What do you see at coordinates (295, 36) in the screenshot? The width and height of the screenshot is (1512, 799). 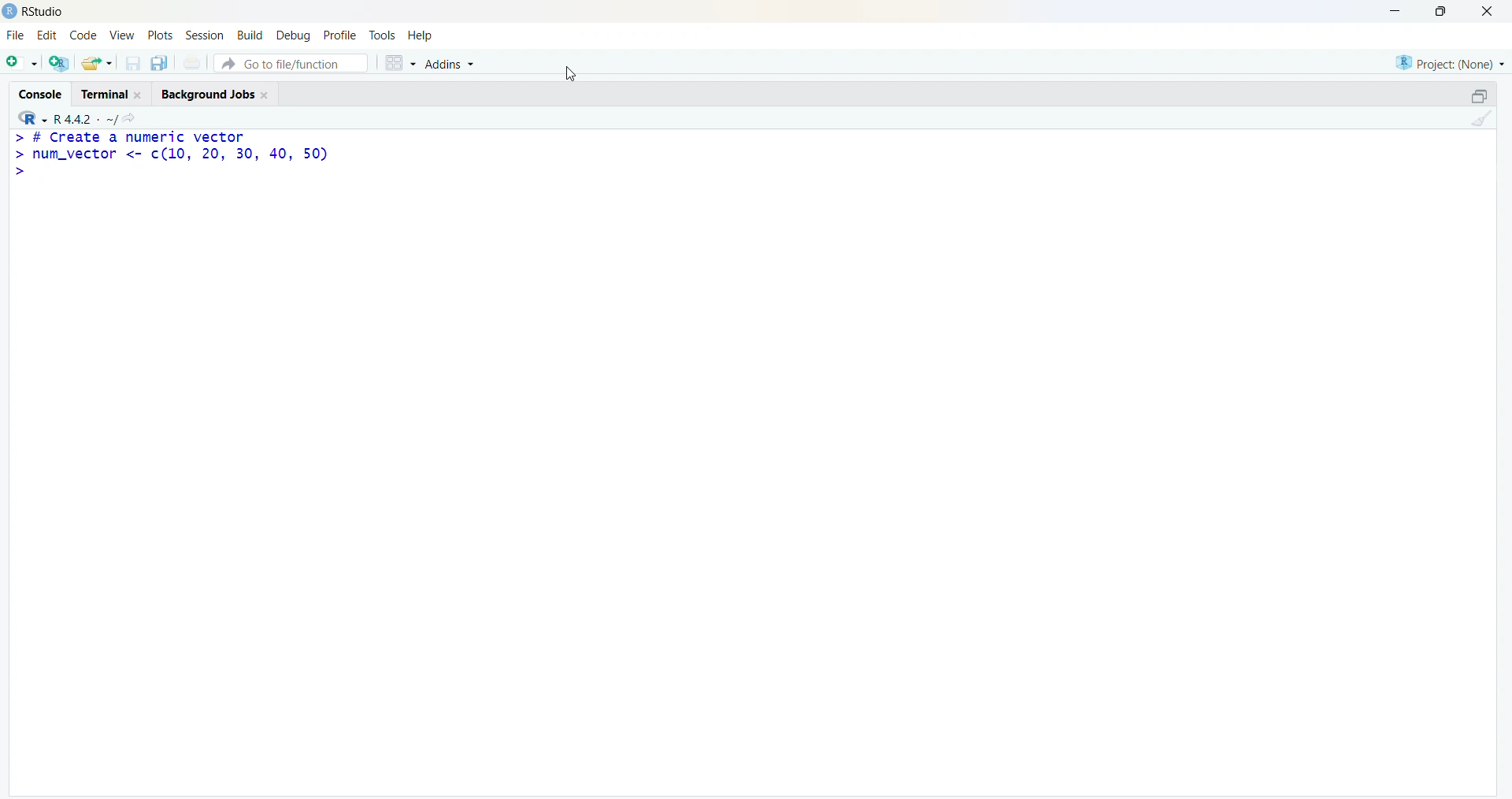 I see `debug` at bounding box center [295, 36].